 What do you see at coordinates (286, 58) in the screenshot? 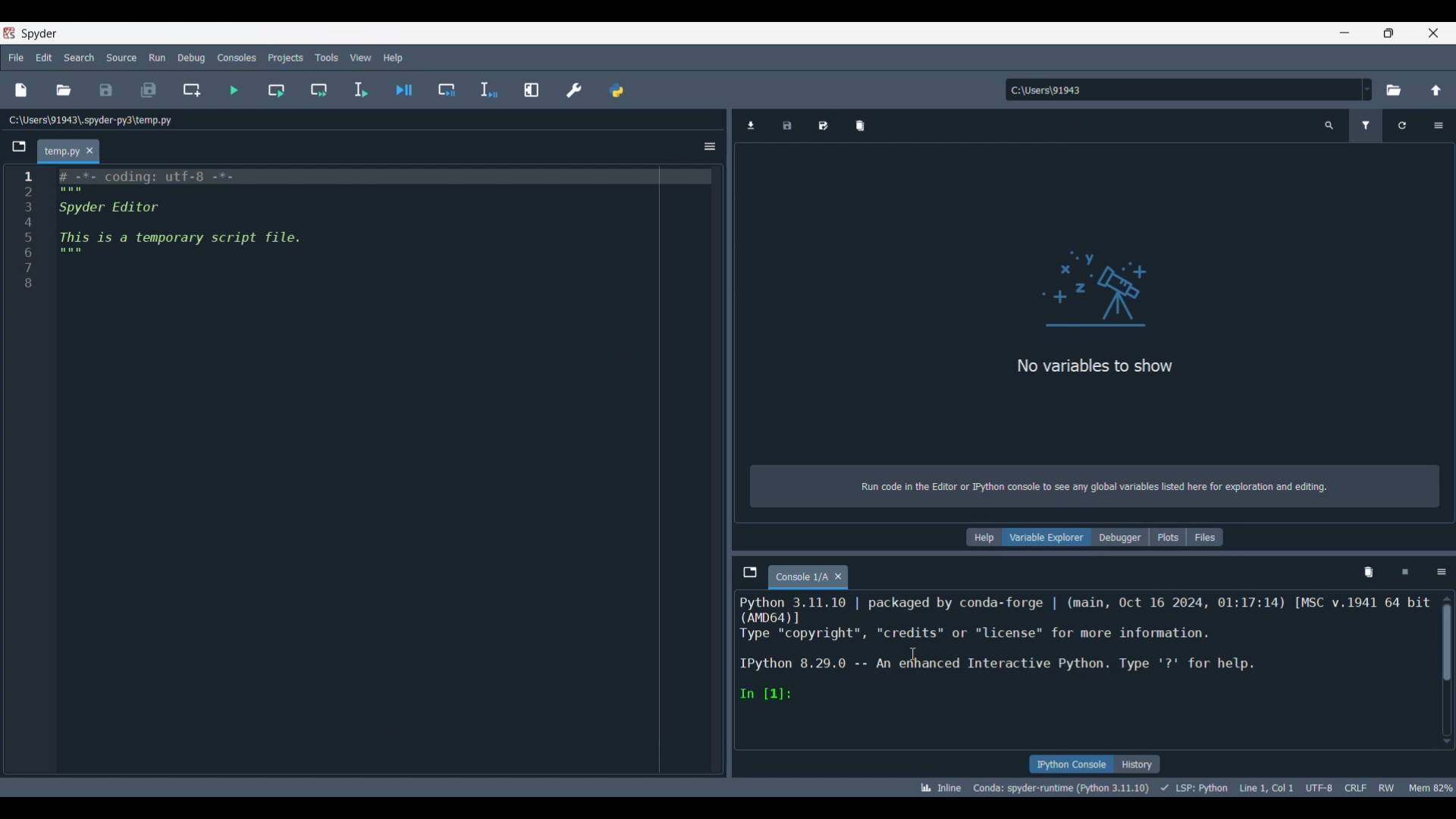
I see `Projects menu` at bounding box center [286, 58].